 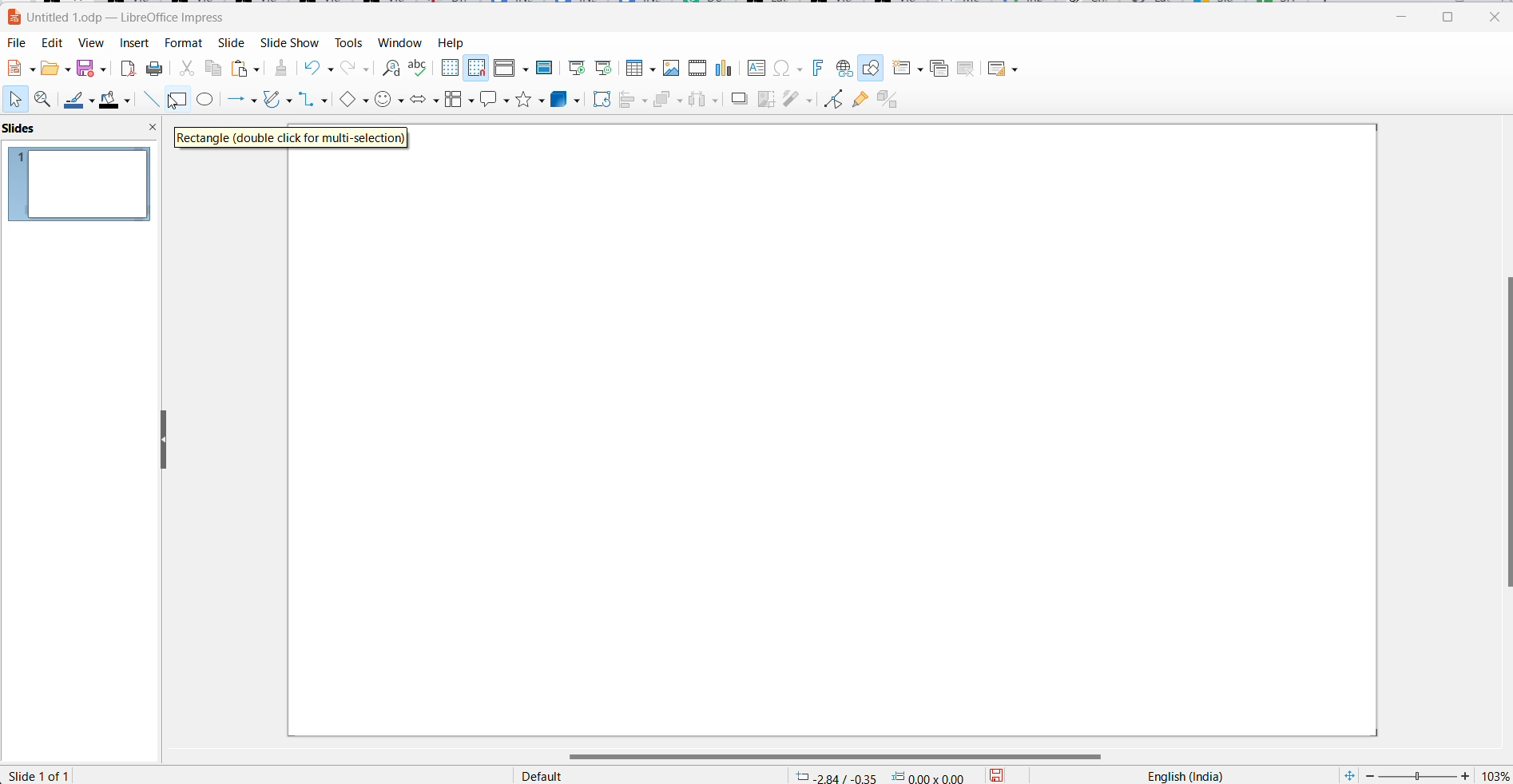 What do you see at coordinates (47, 774) in the screenshot?
I see `slide number` at bounding box center [47, 774].